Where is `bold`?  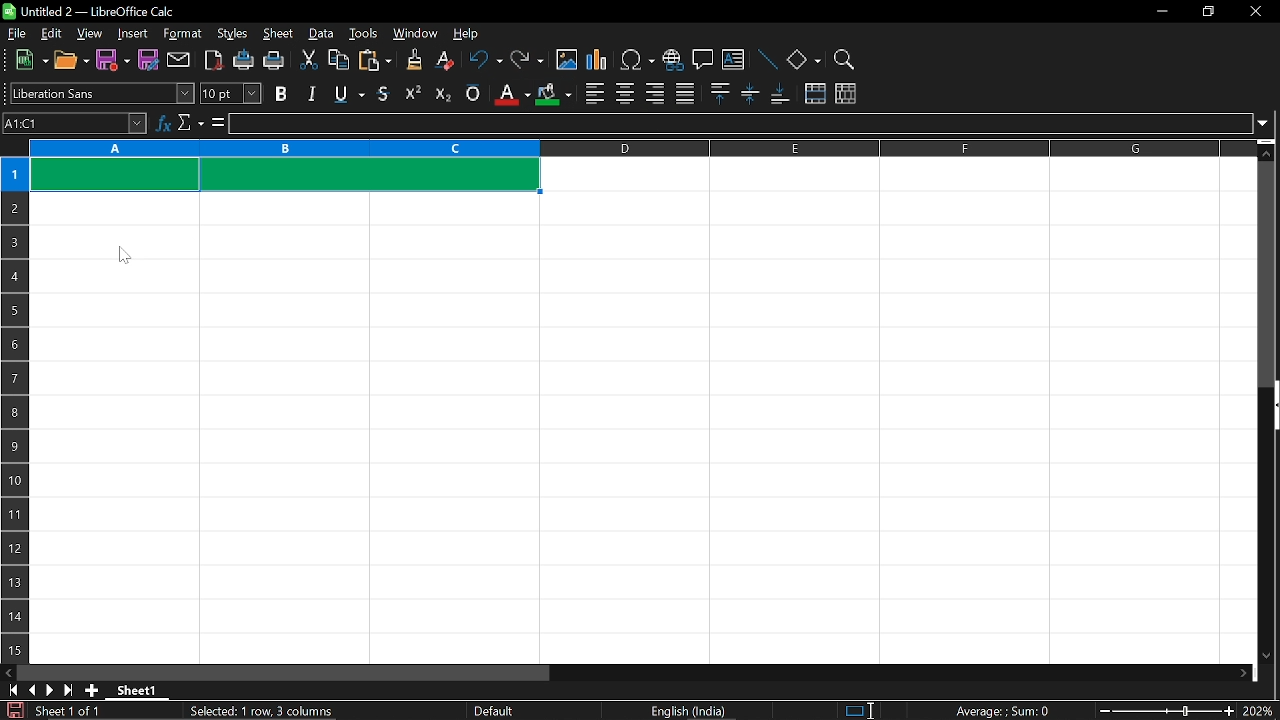 bold is located at coordinates (281, 94).